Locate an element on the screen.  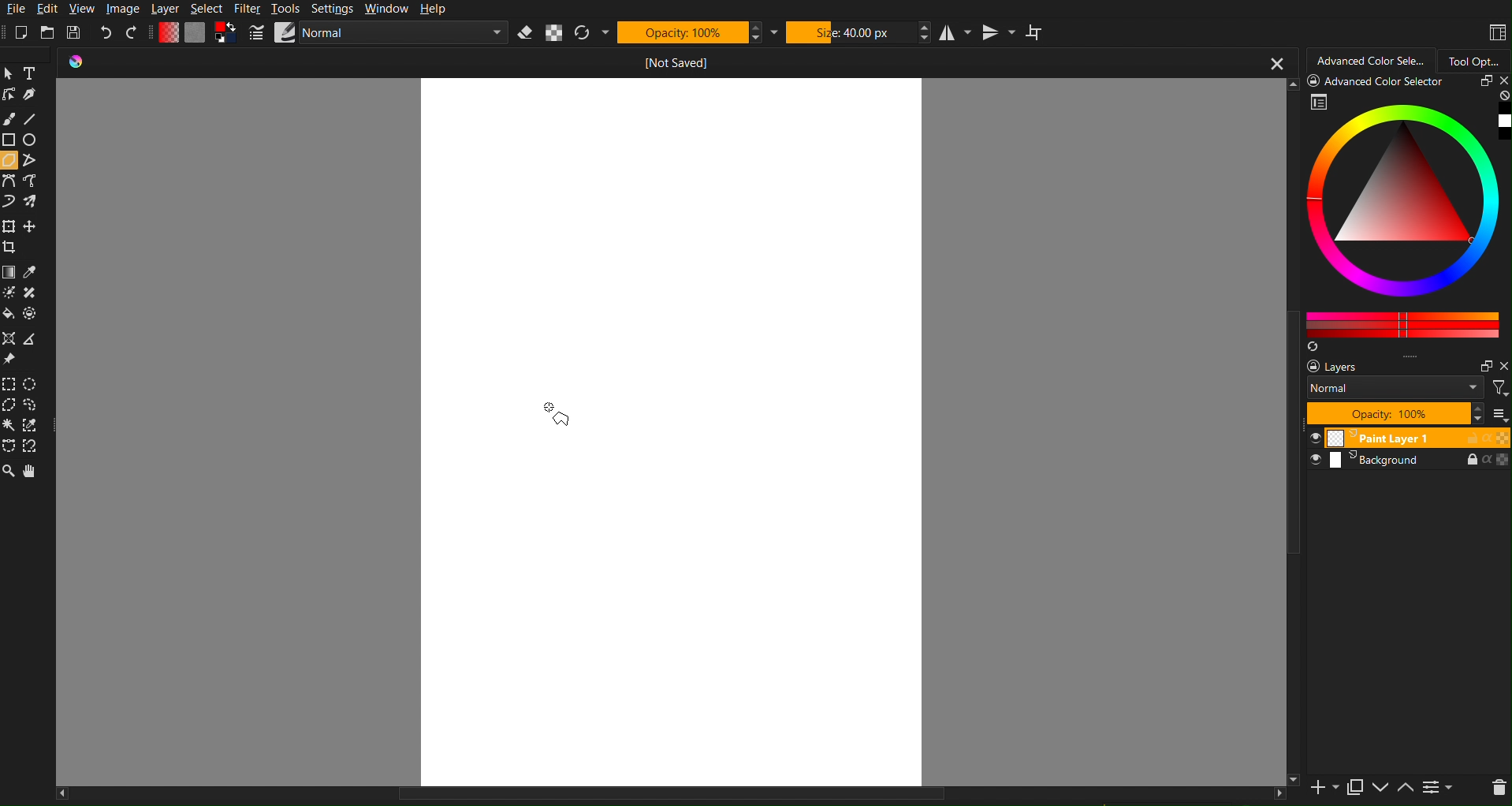
Undo is located at coordinates (105, 33).